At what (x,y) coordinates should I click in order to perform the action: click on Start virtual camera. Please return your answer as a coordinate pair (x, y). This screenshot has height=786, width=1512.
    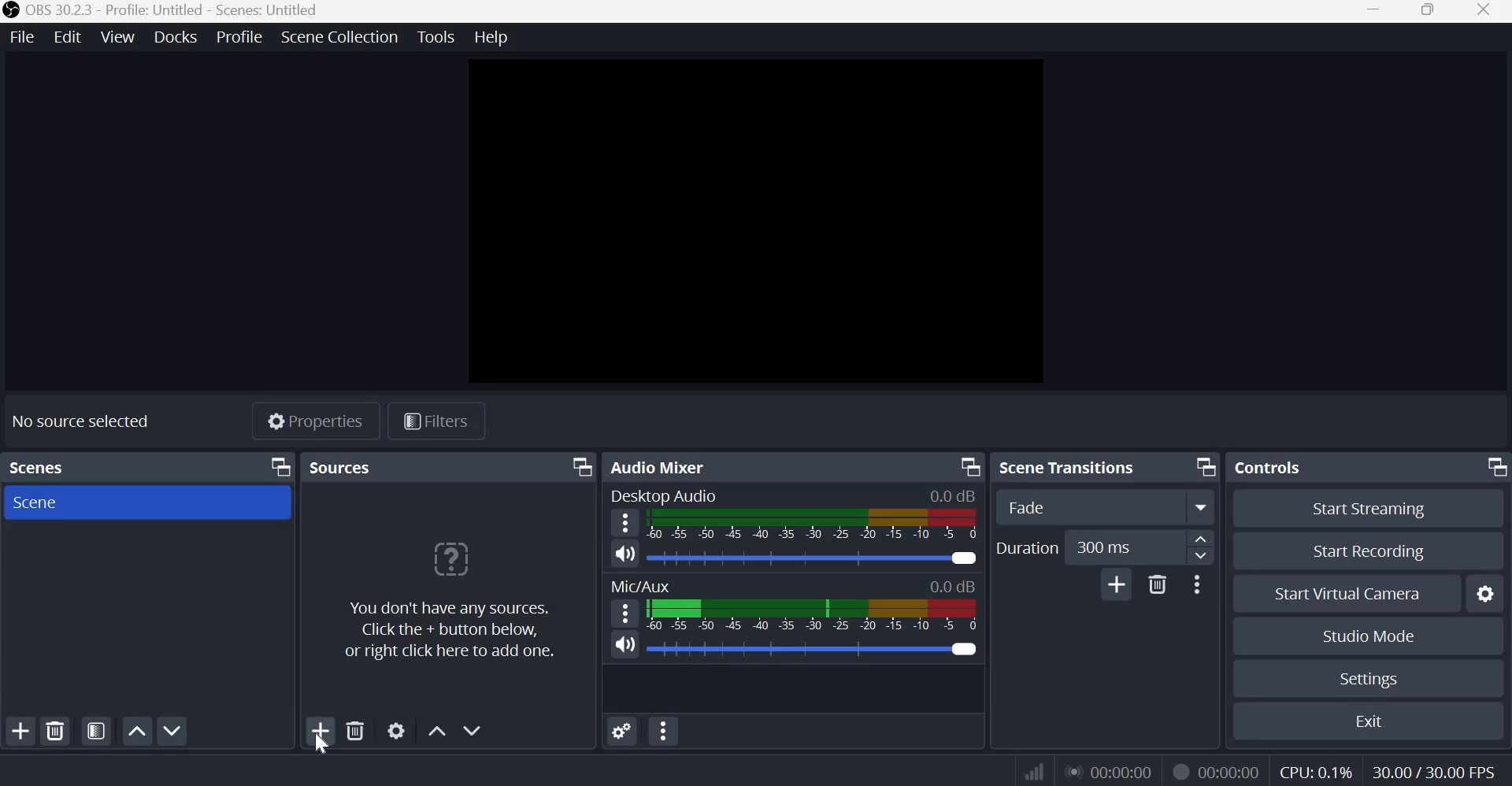
    Looking at the image, I should click on (1354, 594).